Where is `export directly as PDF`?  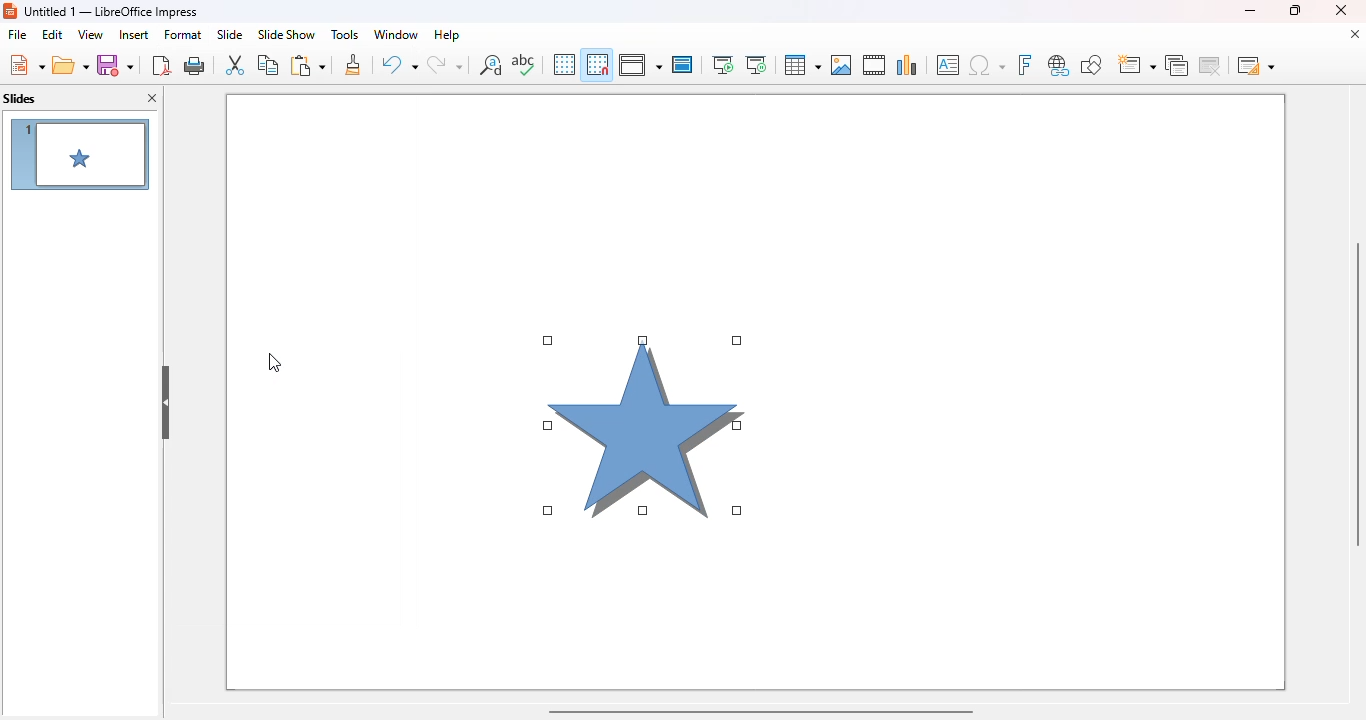 export directly as PDF is located at coordinates (161, 65).